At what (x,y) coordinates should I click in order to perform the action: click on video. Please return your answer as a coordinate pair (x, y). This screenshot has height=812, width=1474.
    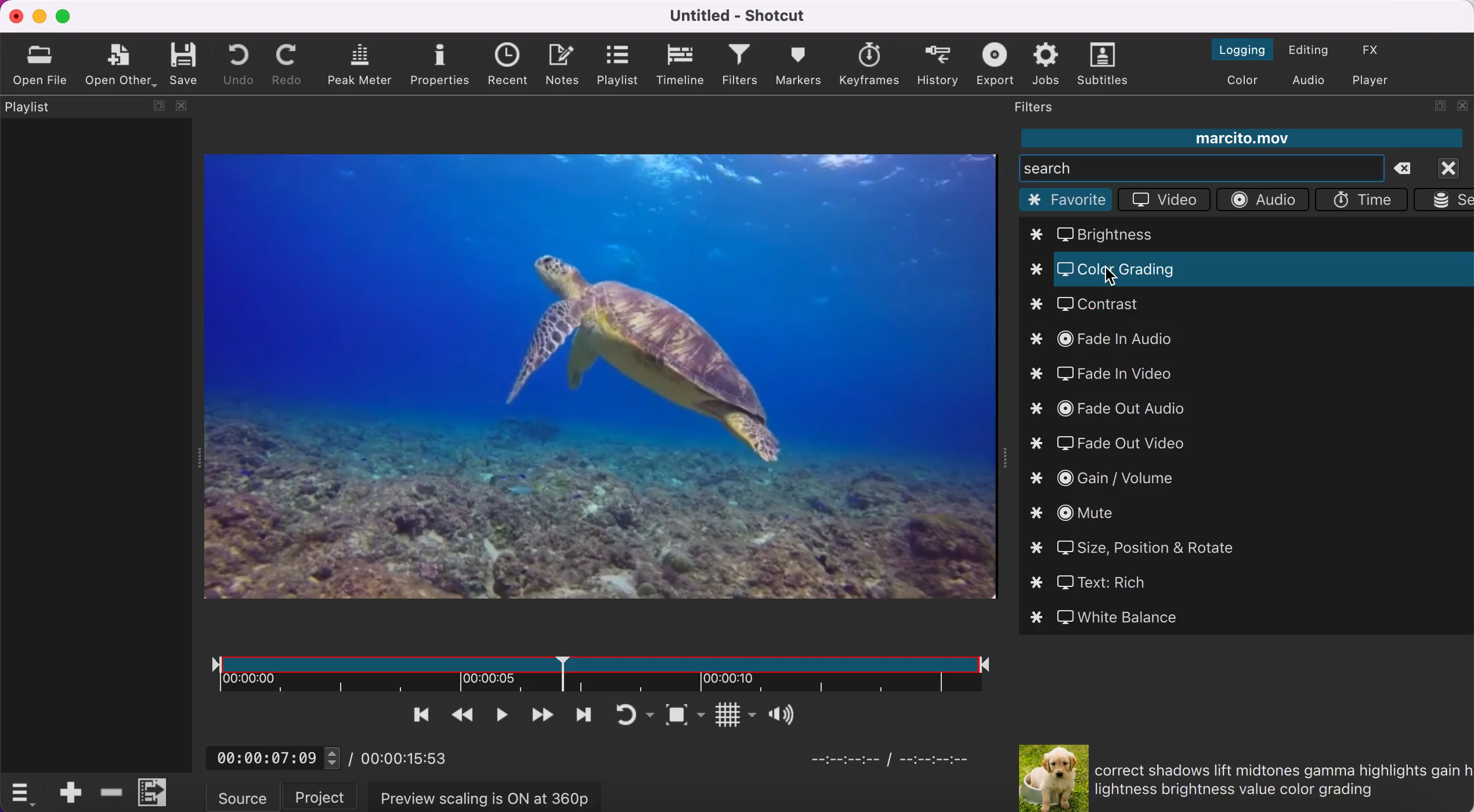
    Looking at the image, I should click on (1165, 200).